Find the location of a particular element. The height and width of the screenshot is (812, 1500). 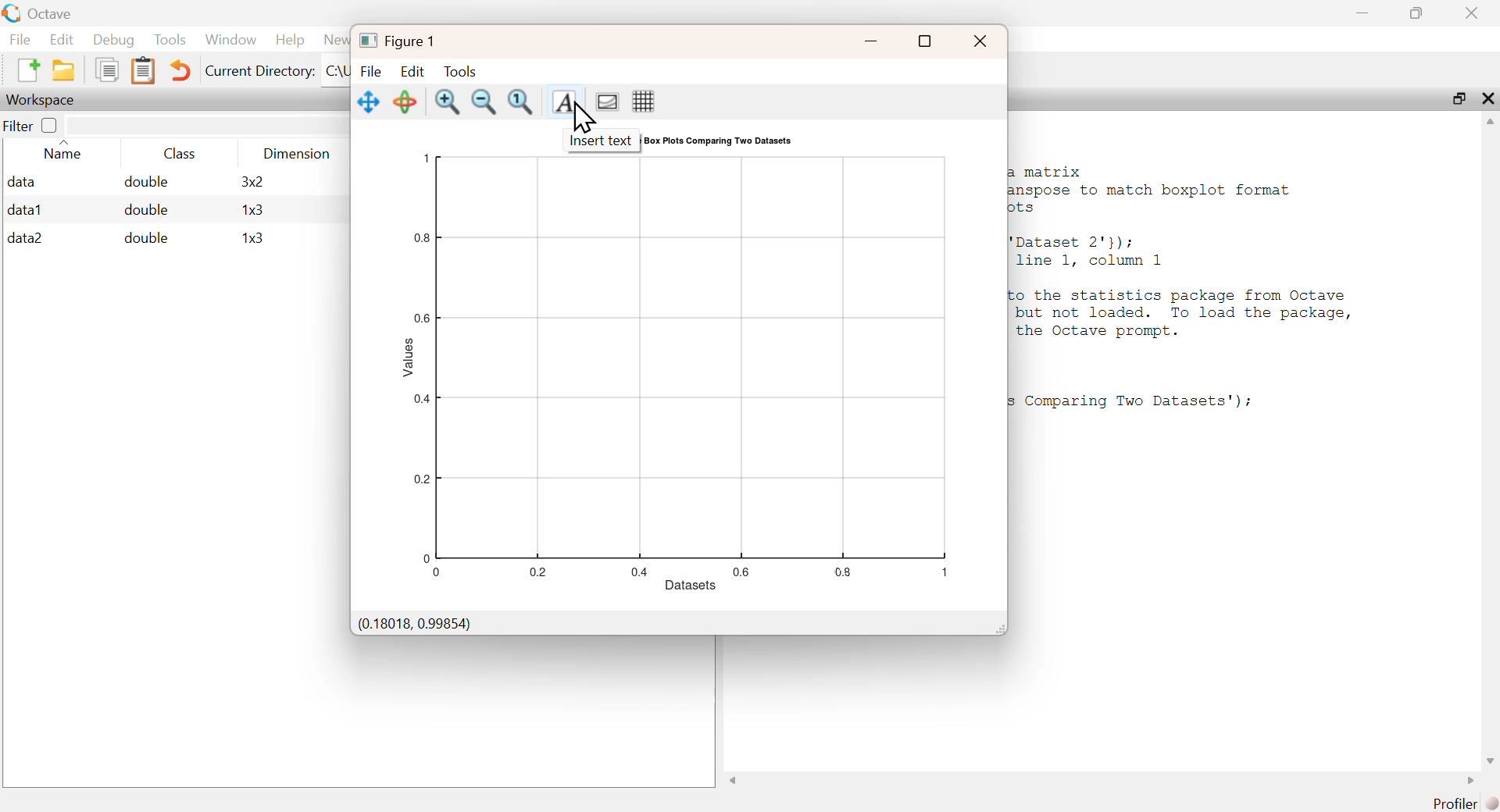

Edit is located at coordinates (61, 40).